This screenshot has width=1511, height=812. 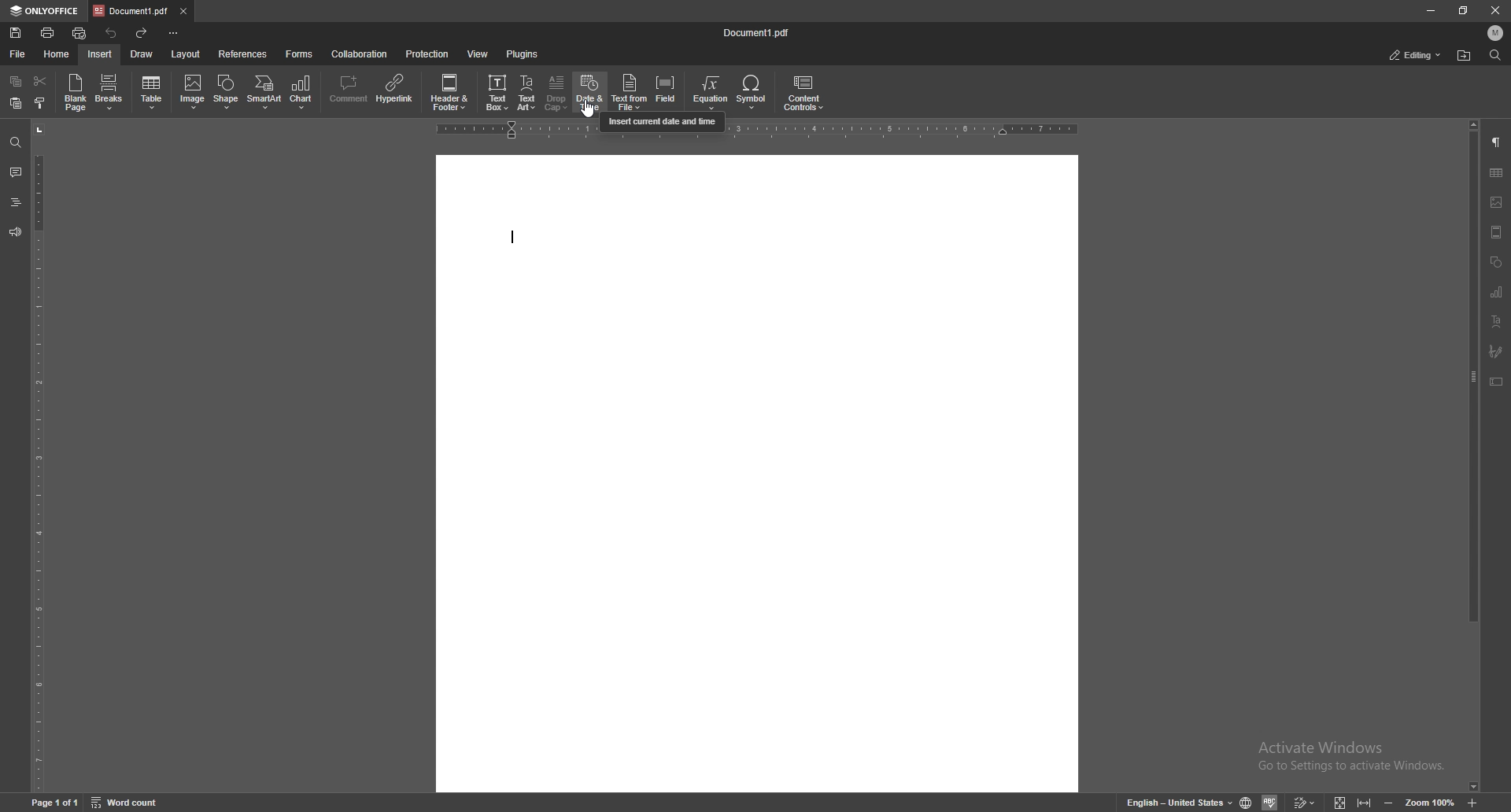 What do you see at coordinates (16, 54) in the screenshot?
I see `file` at bounding box center [16, 54].